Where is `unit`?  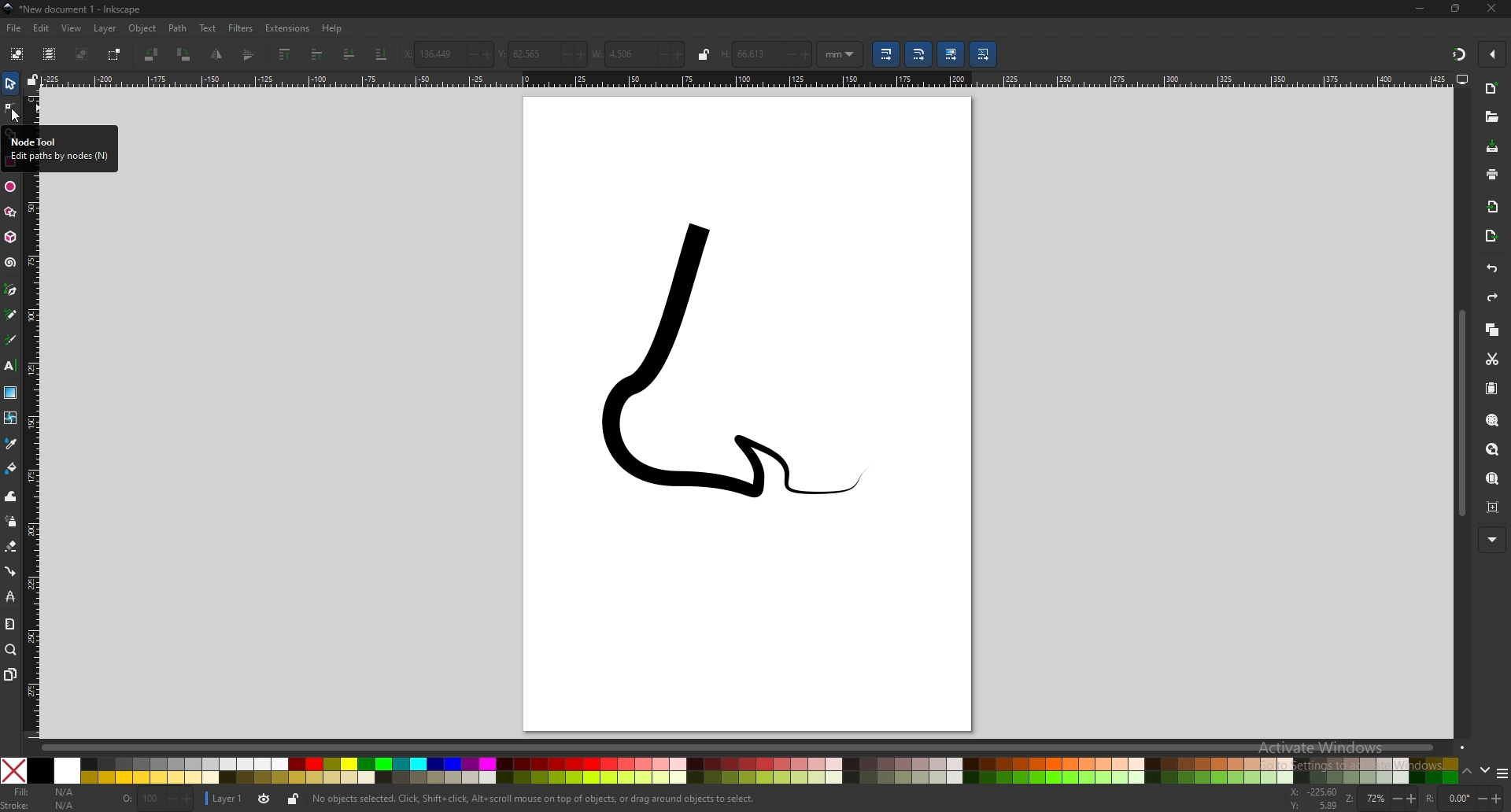 unit is located at coordinates (840, 54).